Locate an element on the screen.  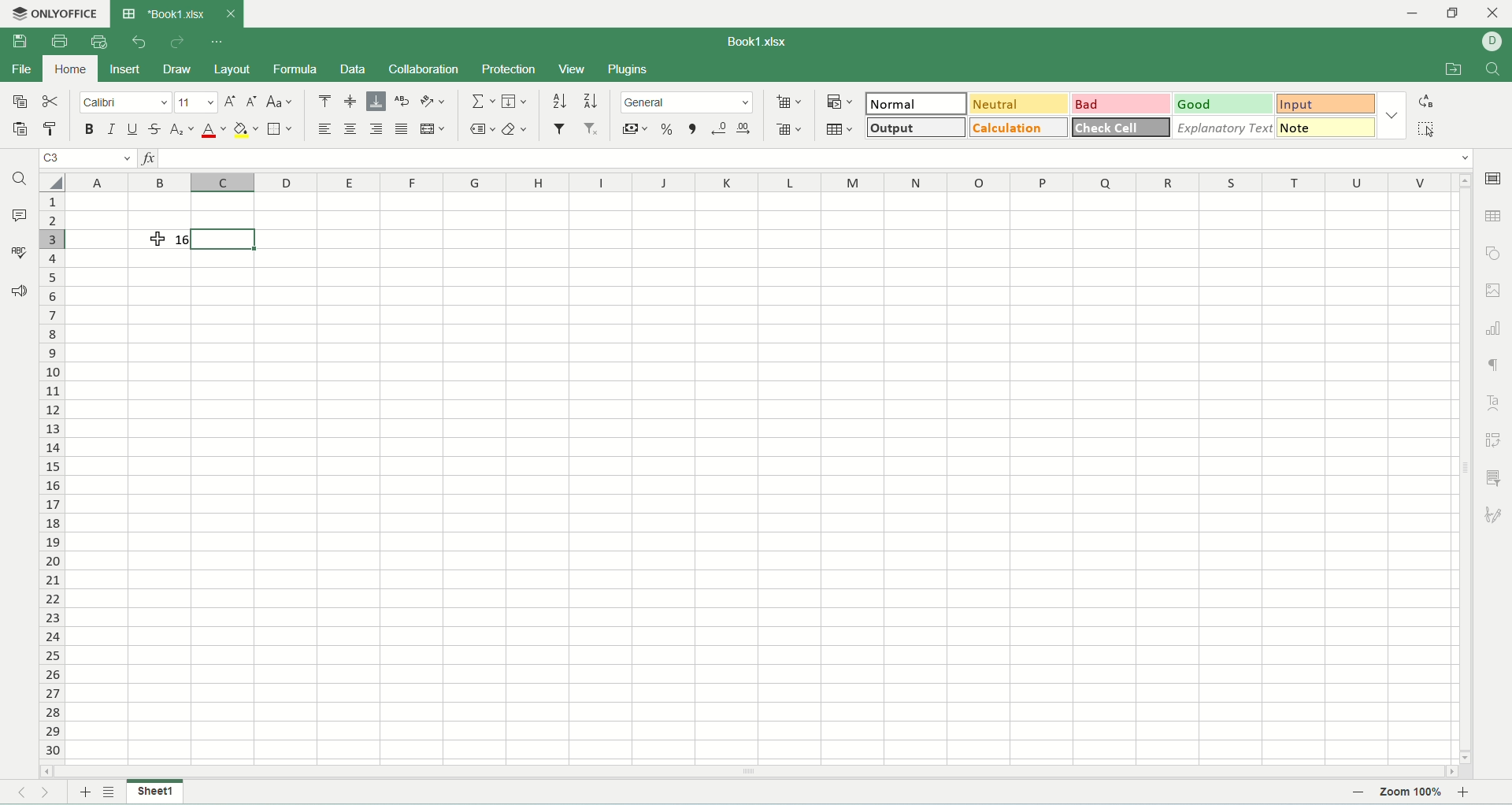
comments is located at coordinates (18, 213).